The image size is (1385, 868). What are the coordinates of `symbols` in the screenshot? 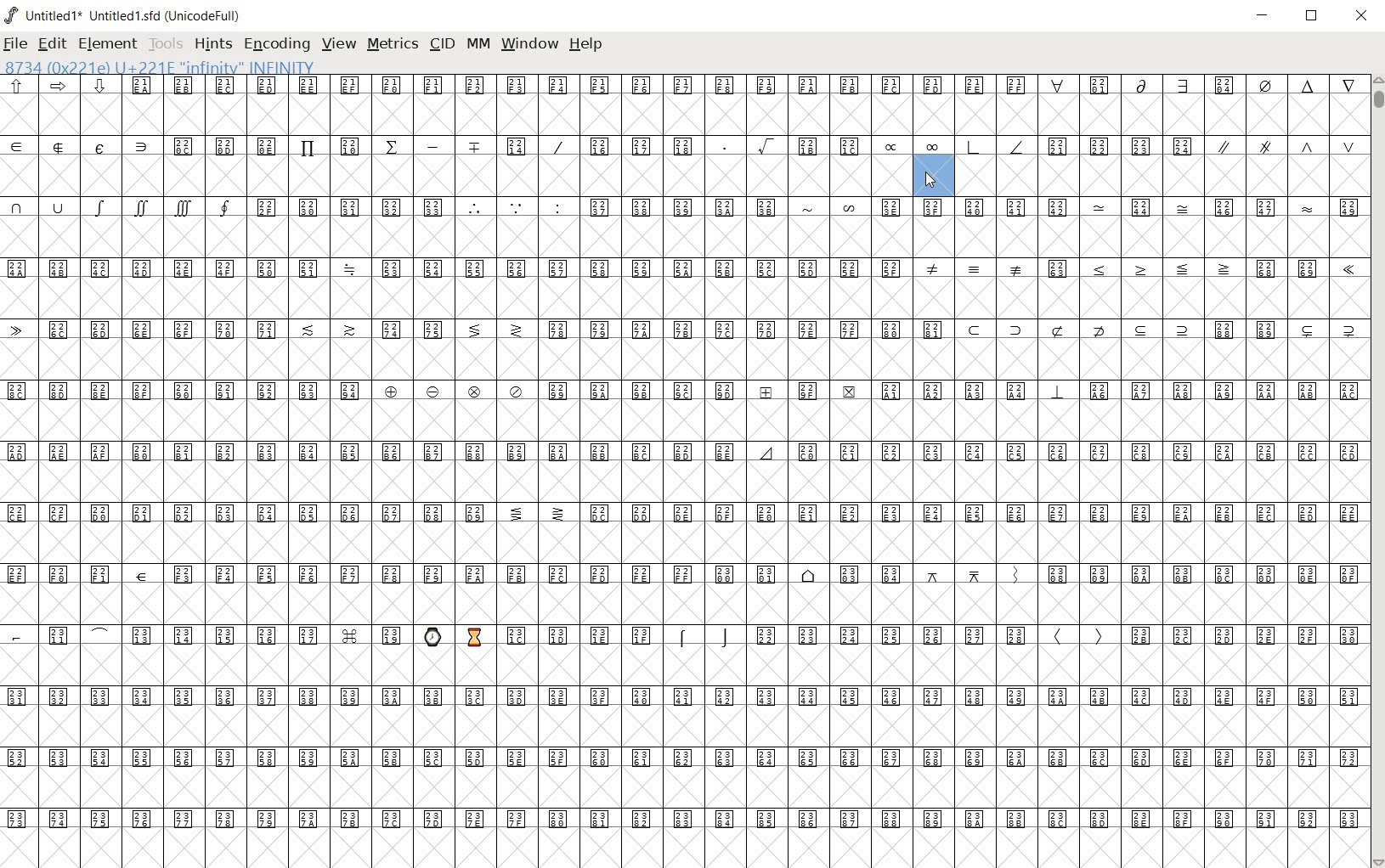 It's located at (704, 635).